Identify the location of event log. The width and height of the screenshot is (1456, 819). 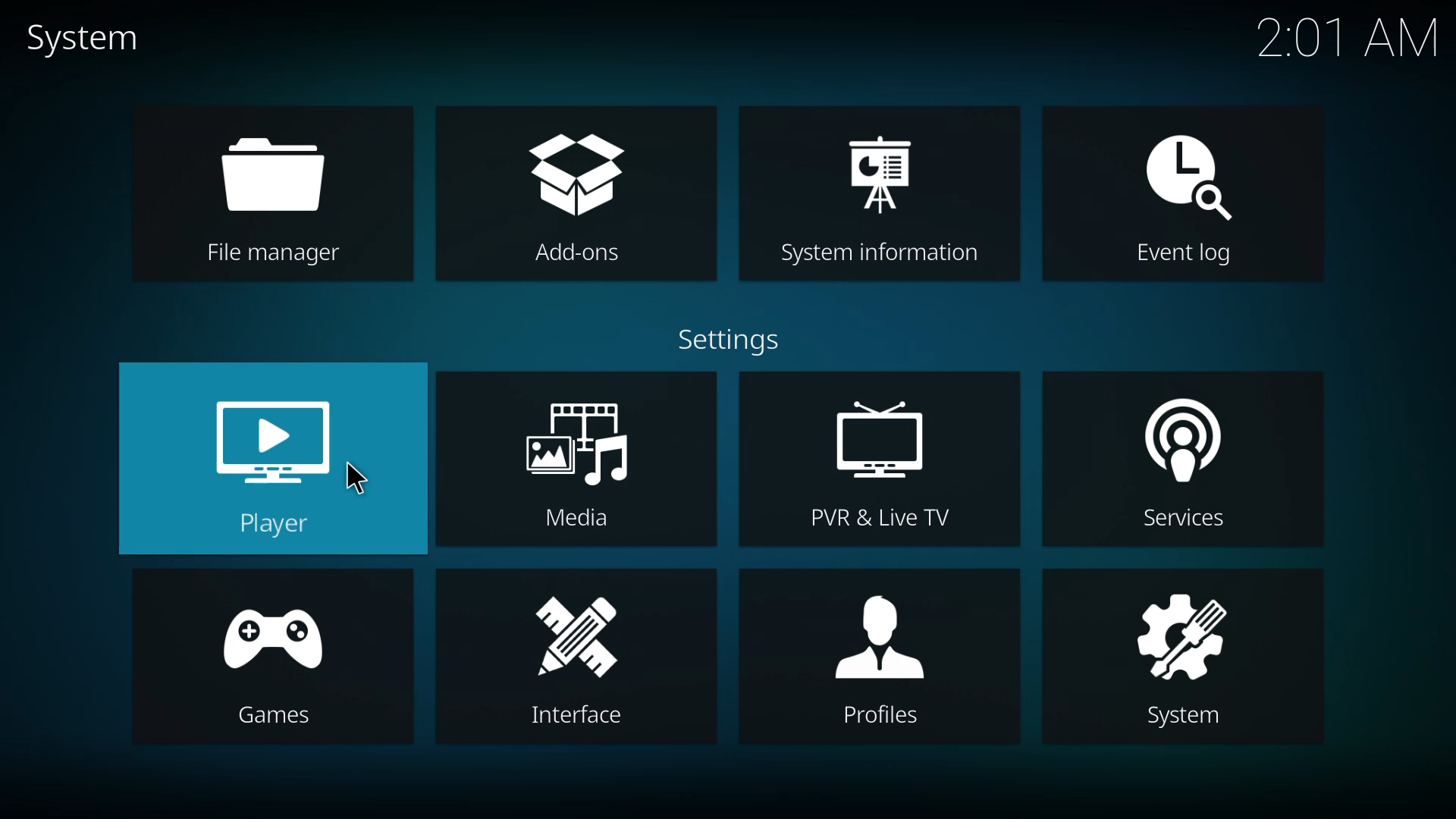
(1174, 196).